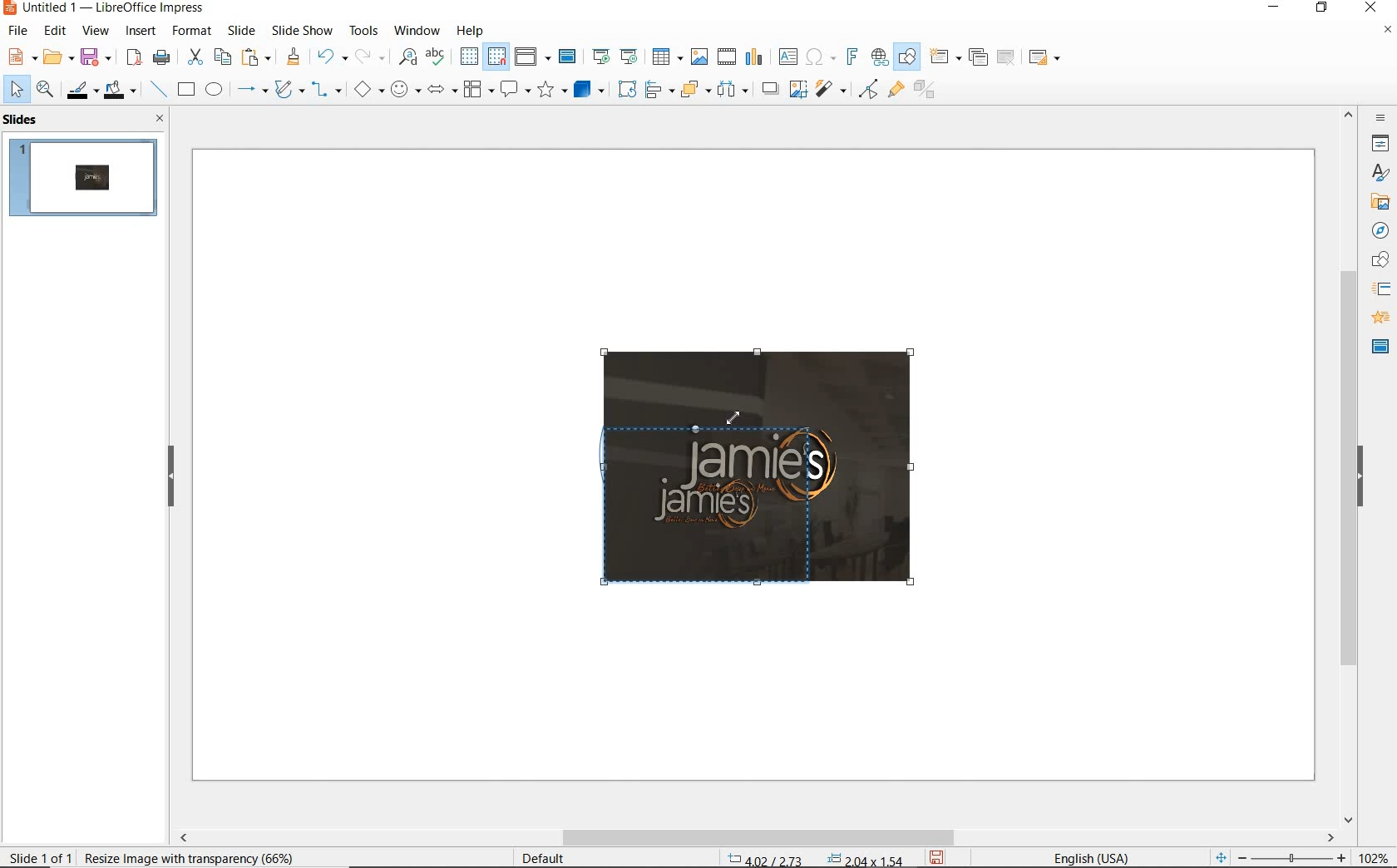  I want to click on close document, so click(1387, 33).